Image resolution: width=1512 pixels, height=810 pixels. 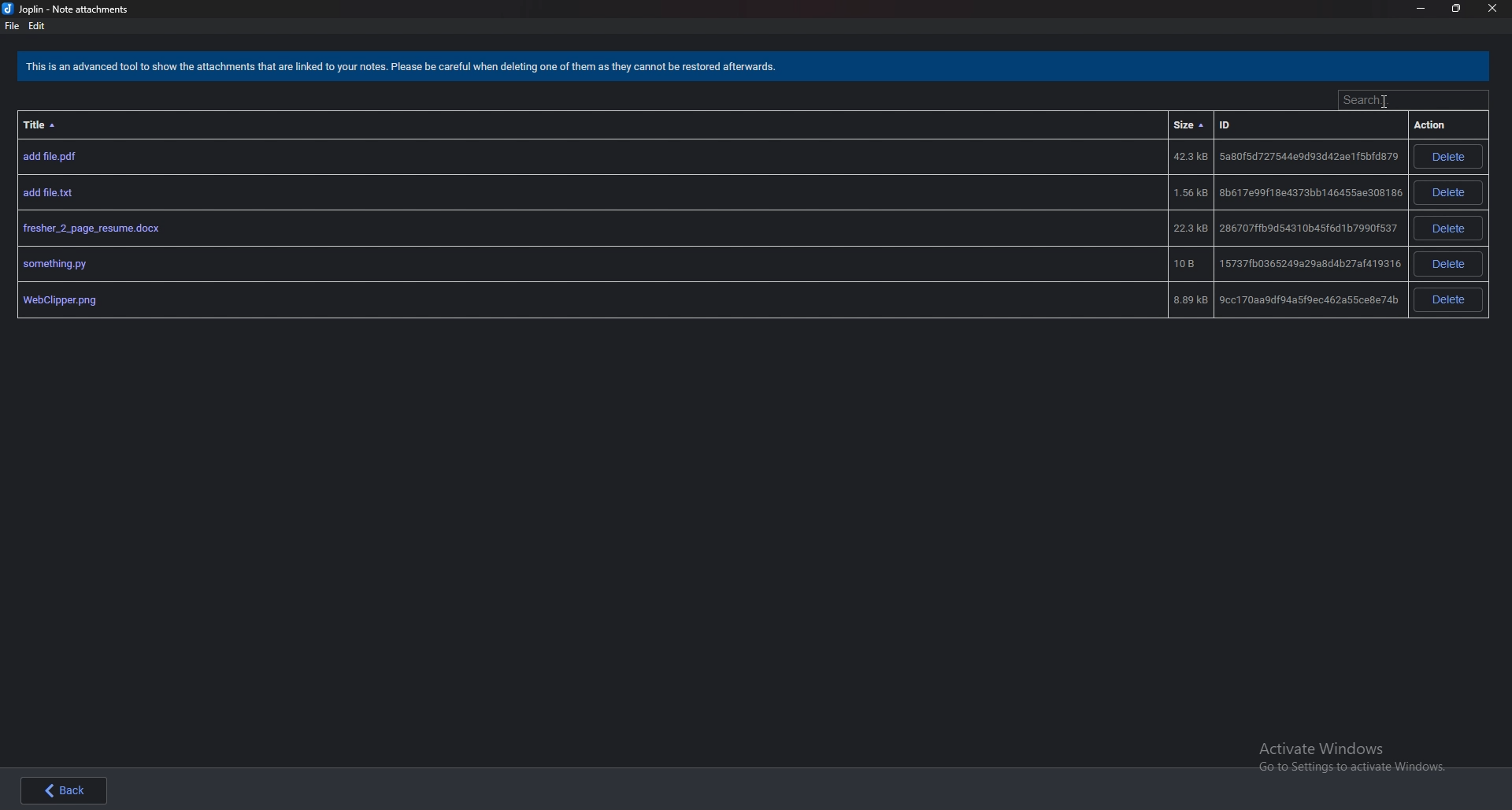 I want to click on attachment, so click(x=709, y=229).